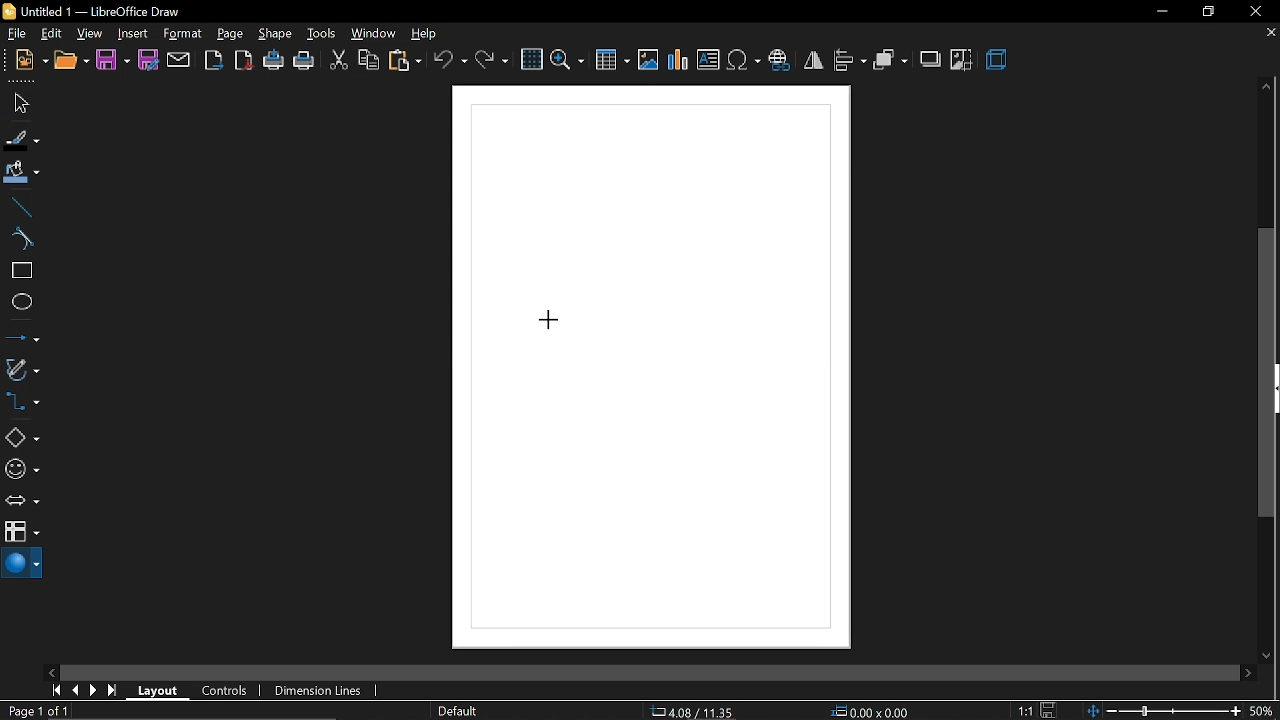 The height and width of the screenshot is (720, 1280). What do you see at coordinates (429, 33) in the screenshot?
I see `help` at bounding box center [429, 33].